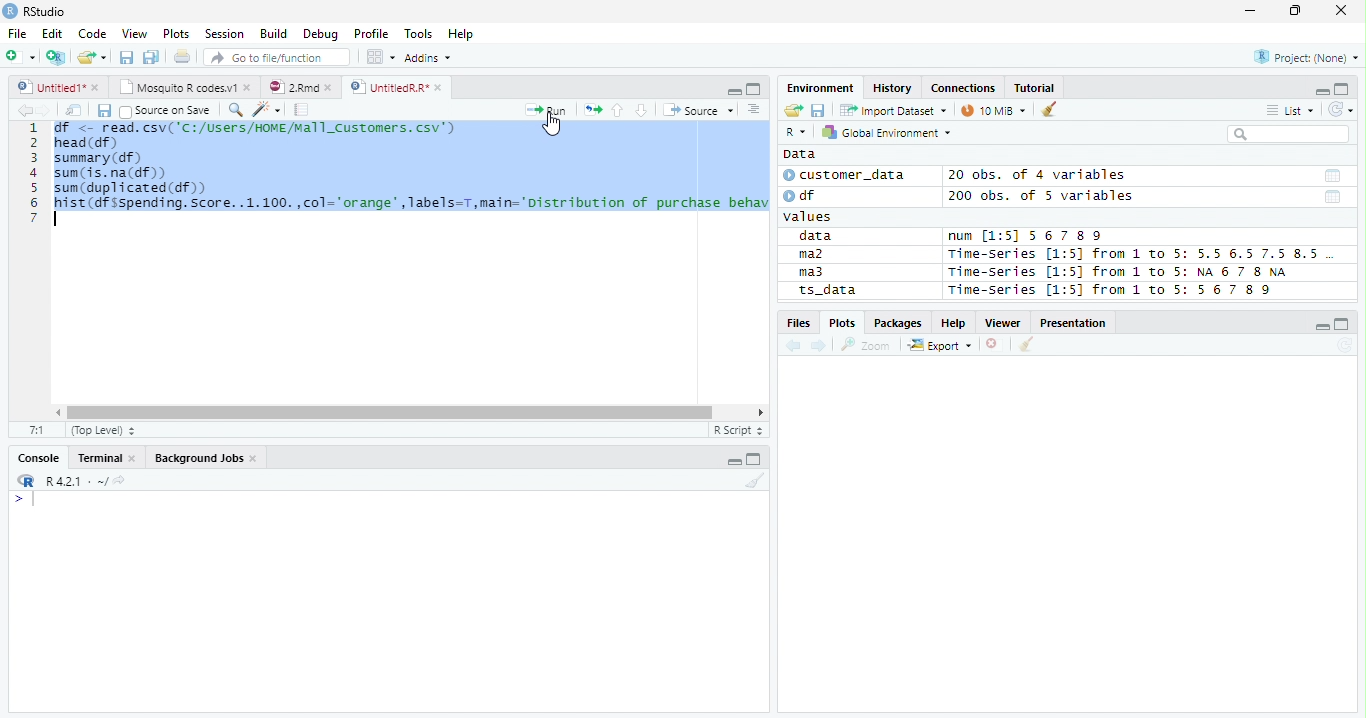  Describe the element at coordinates (398, 88) in the screenshot. I see `UnititledR.R` at that location.